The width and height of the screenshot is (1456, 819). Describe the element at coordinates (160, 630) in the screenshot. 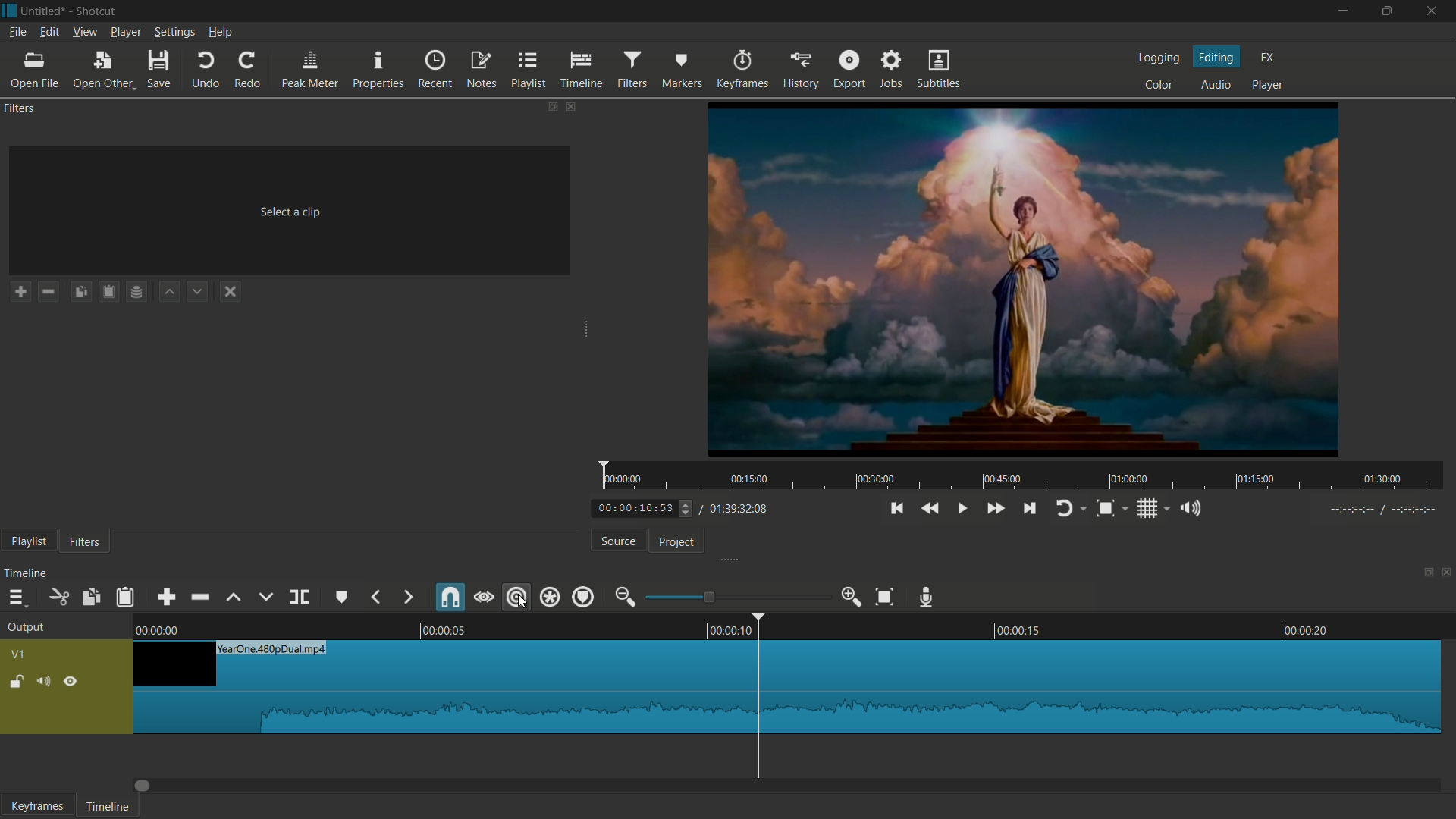

I see `00:00:00` at that location.